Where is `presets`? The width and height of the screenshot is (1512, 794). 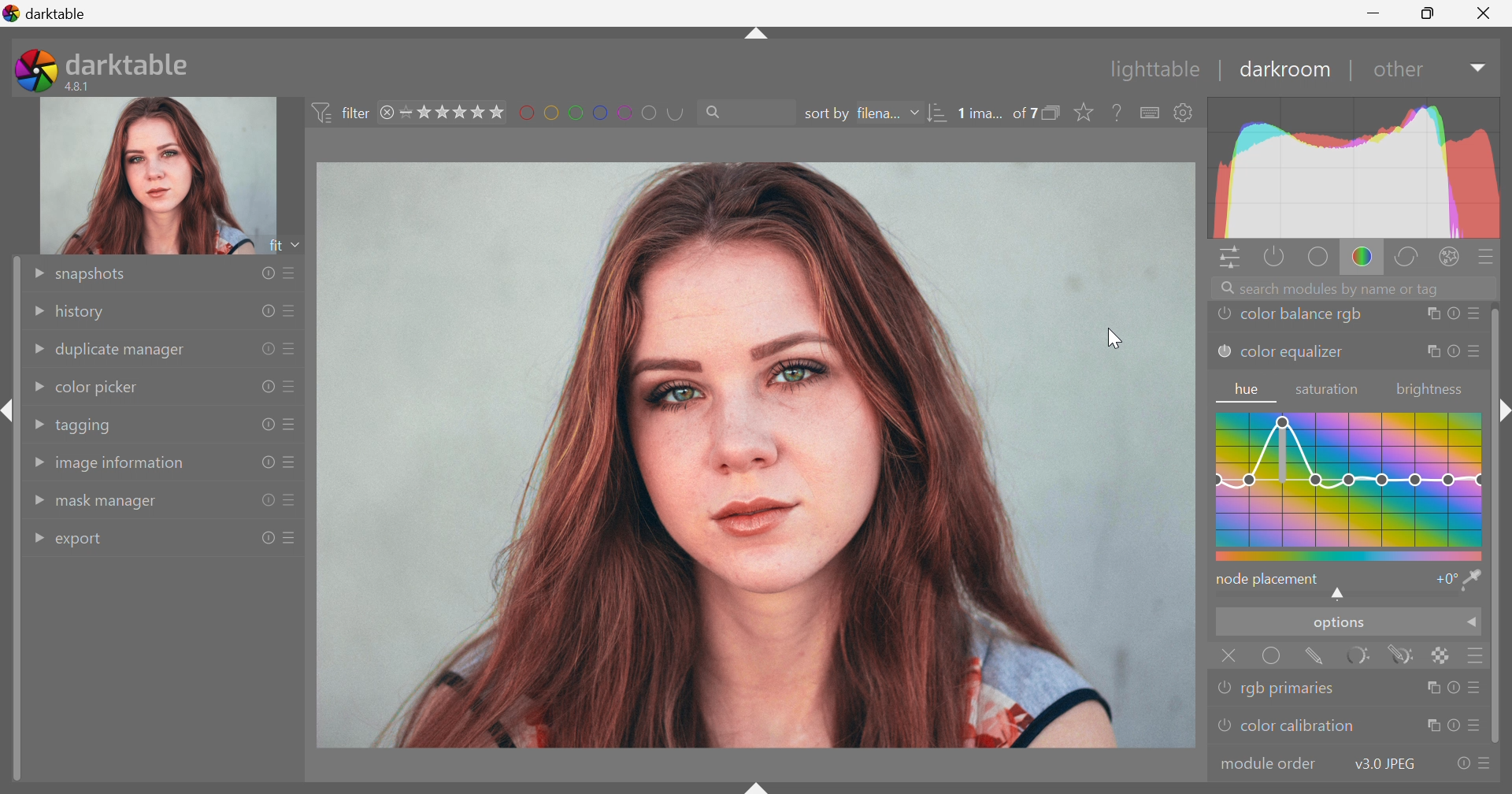
presets is located at coordinates (291, 501).